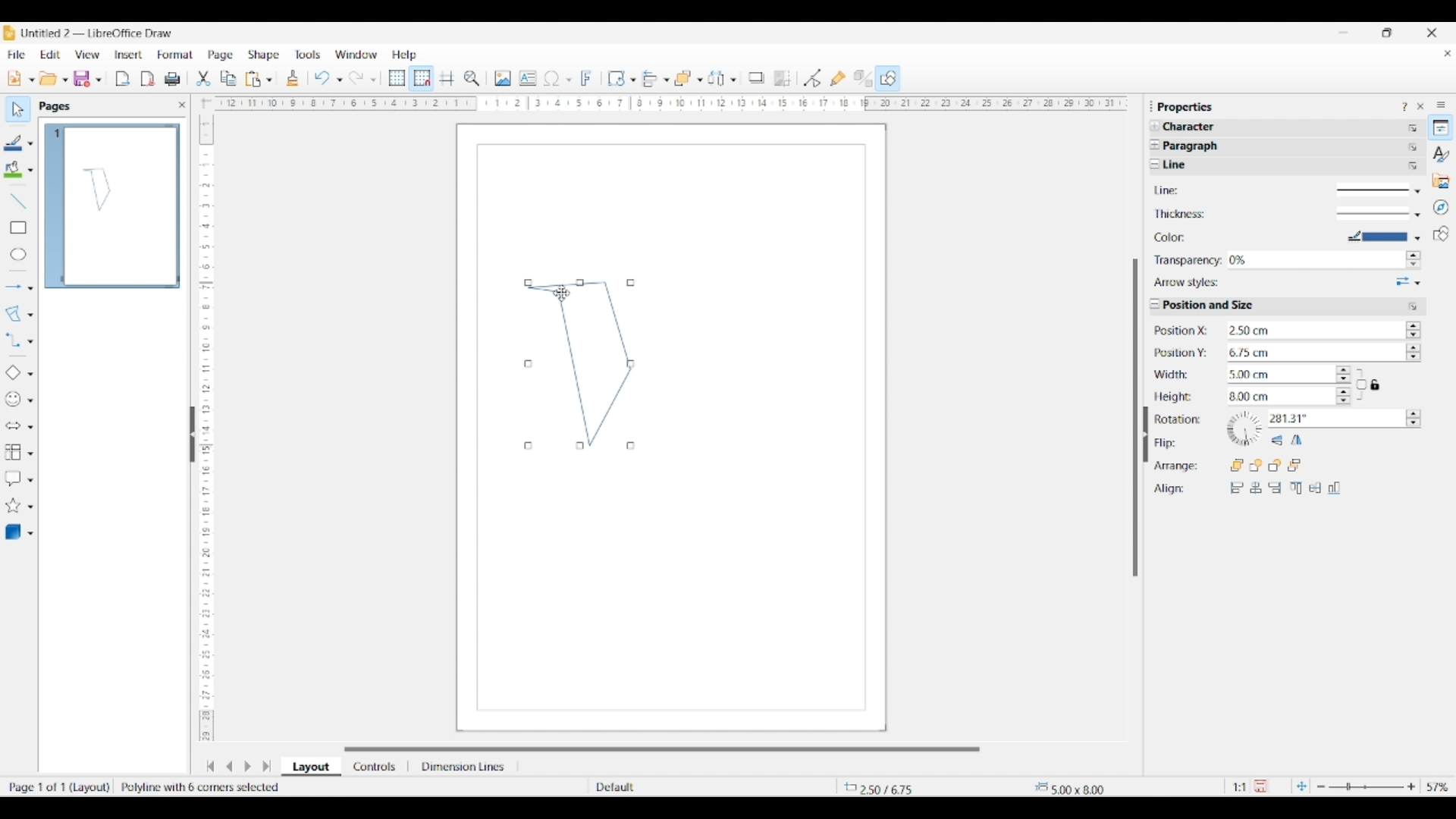  Describe the element at coordinates (1326, 419) in the screenshot. I see `Enter degree of rotation manually` at that location.